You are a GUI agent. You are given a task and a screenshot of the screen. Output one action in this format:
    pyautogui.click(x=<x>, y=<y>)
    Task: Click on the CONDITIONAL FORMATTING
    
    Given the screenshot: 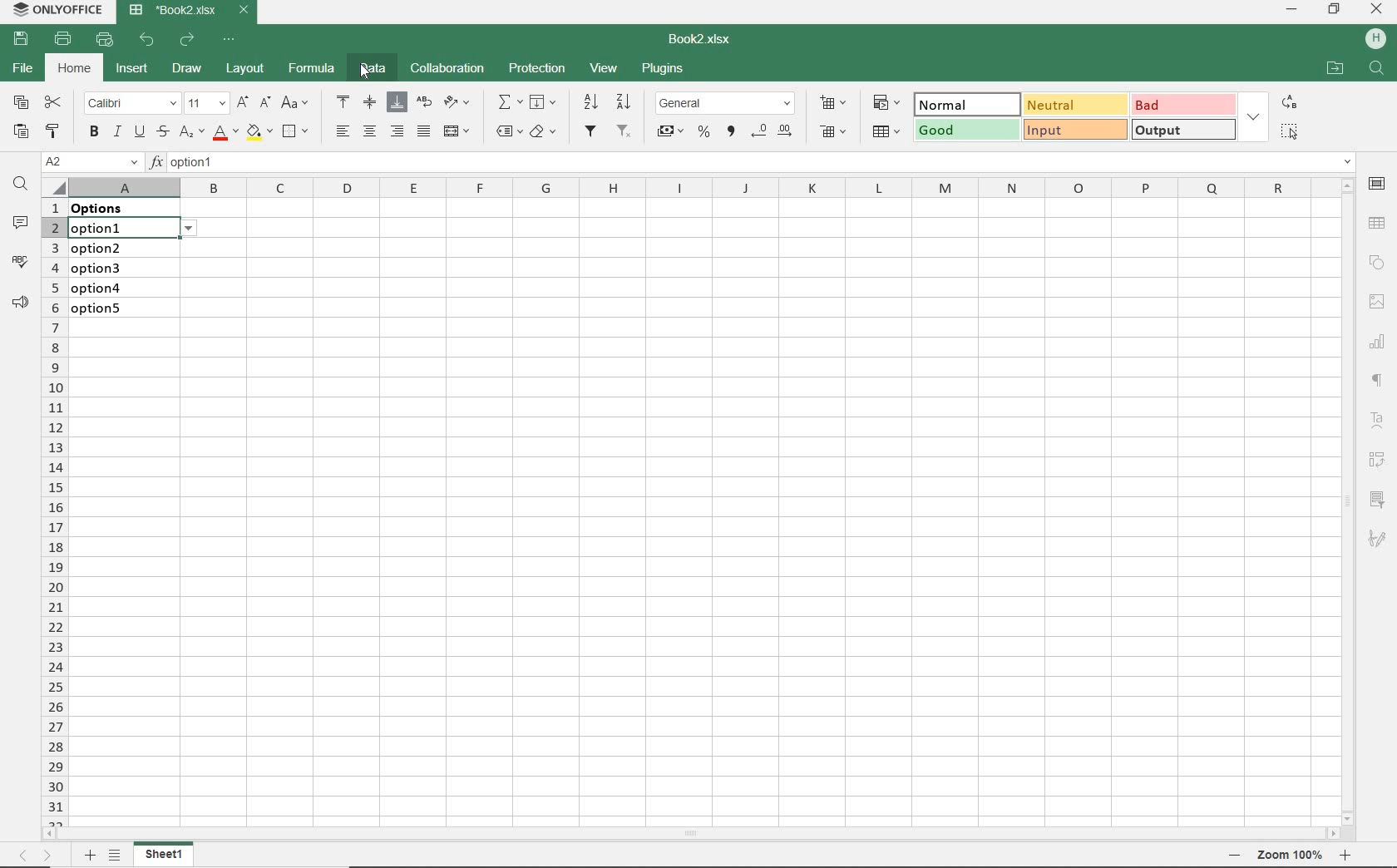 What is the action you would take?
    pyautogui.click(x=887, y=104)
    